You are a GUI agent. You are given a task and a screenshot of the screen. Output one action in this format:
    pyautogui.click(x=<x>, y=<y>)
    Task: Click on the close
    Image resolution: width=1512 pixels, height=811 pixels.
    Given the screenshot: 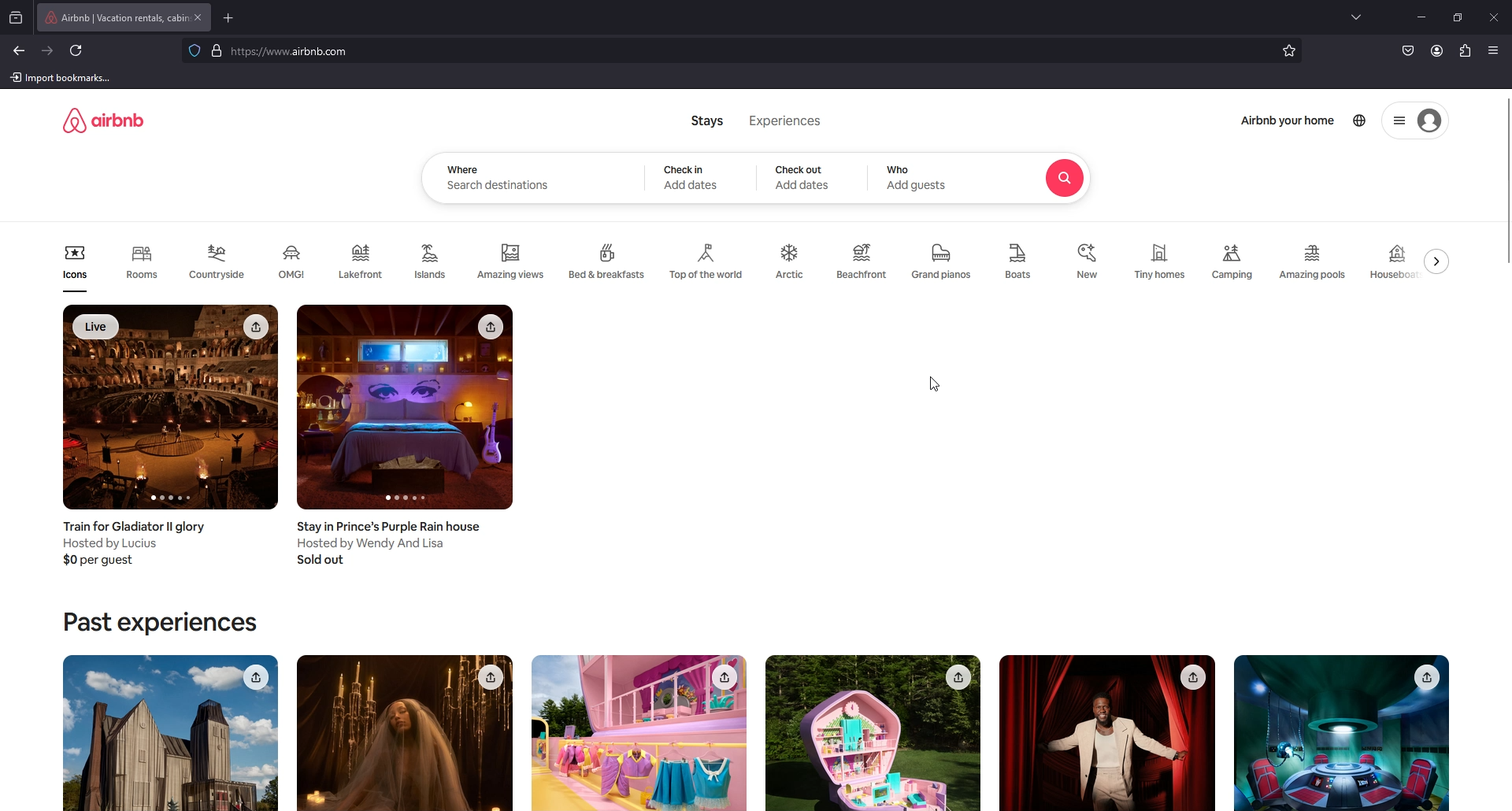 What is the action you would take?
    pyautogui.click(x=1492, y=18)
    